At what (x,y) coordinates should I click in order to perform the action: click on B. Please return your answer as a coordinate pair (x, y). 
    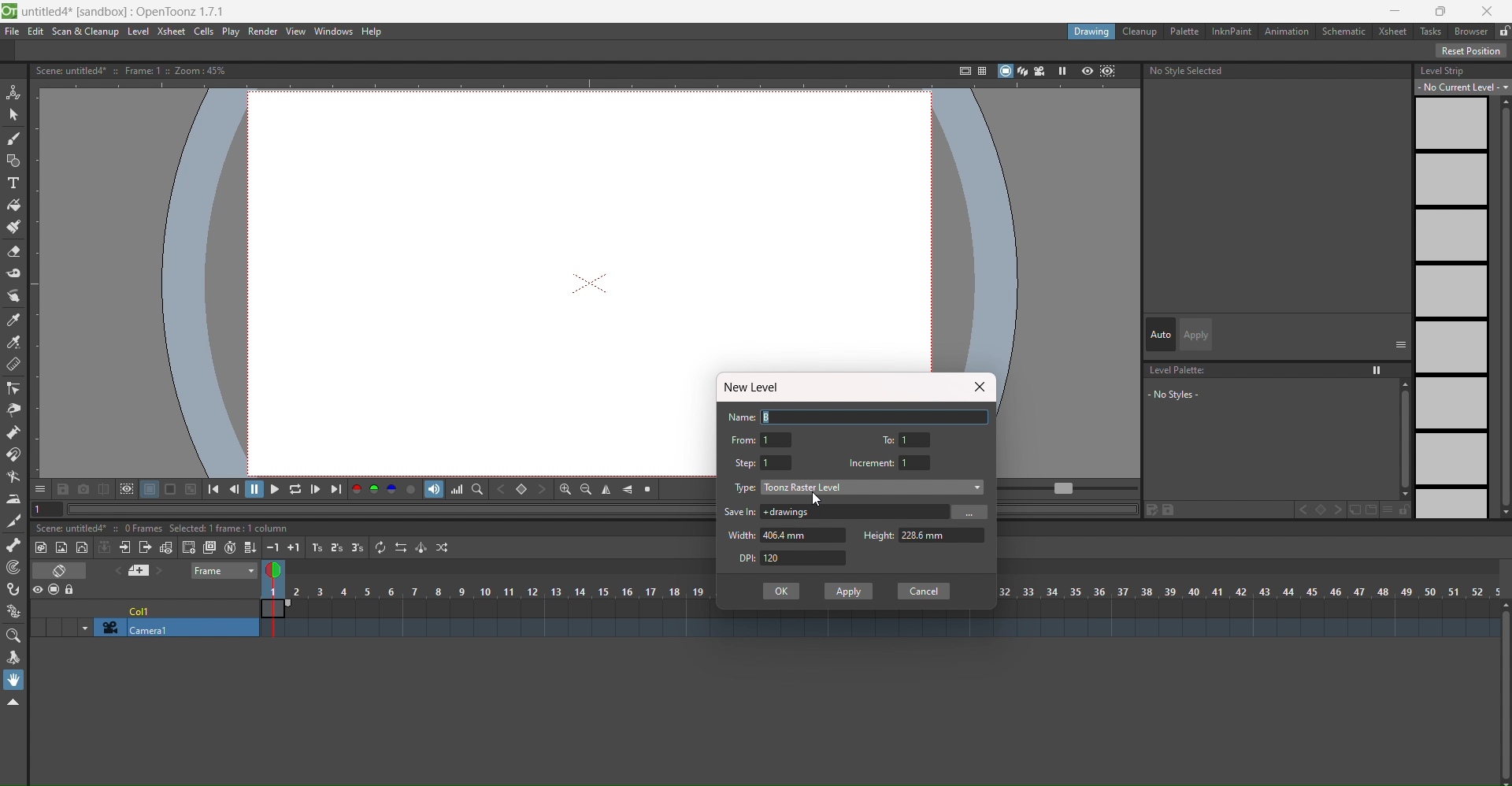
    Looking at the image, I should click on (877, 416).